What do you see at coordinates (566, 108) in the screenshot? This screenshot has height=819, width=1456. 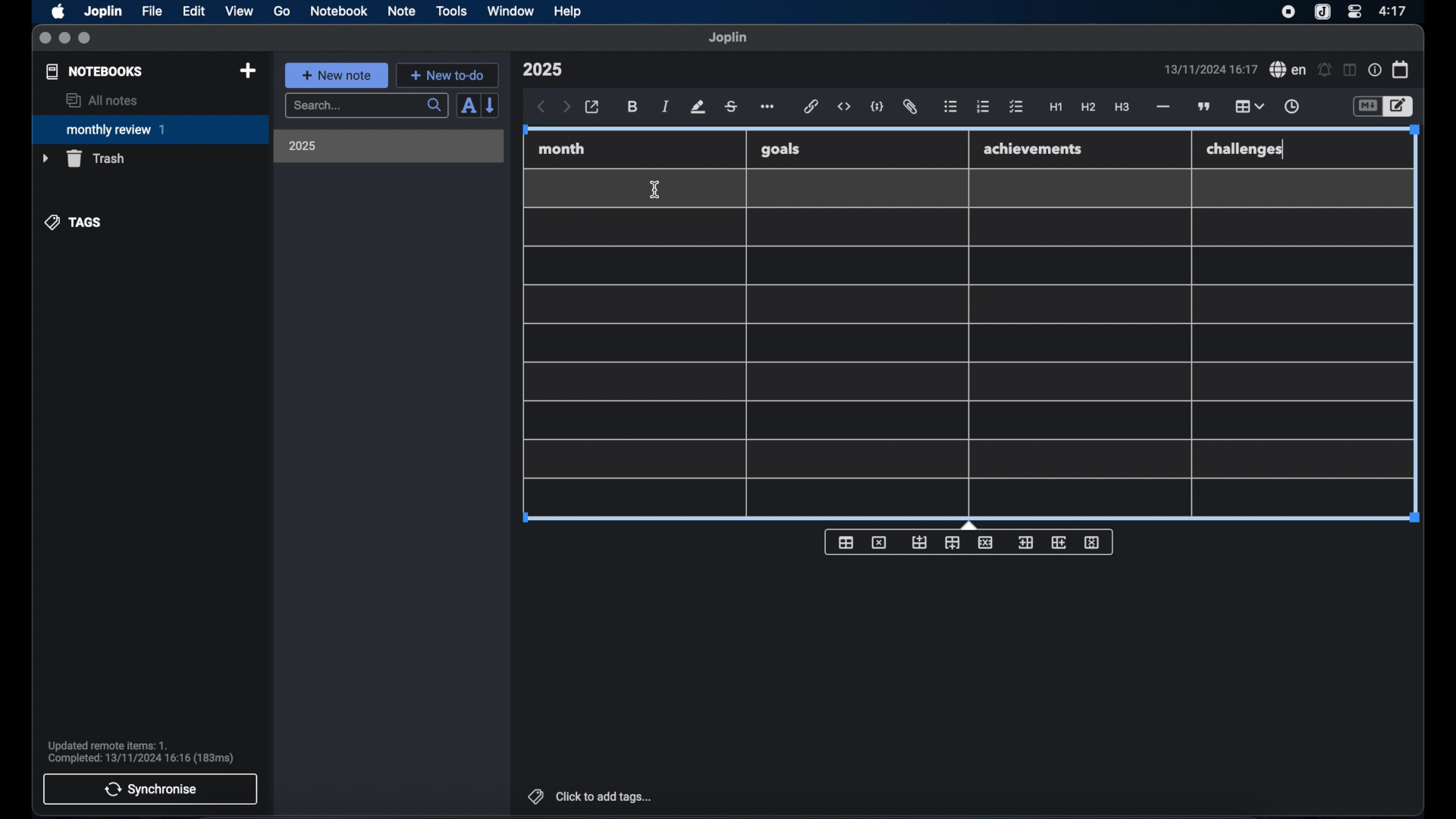 I see `forward` at bounding box center [566, 108].